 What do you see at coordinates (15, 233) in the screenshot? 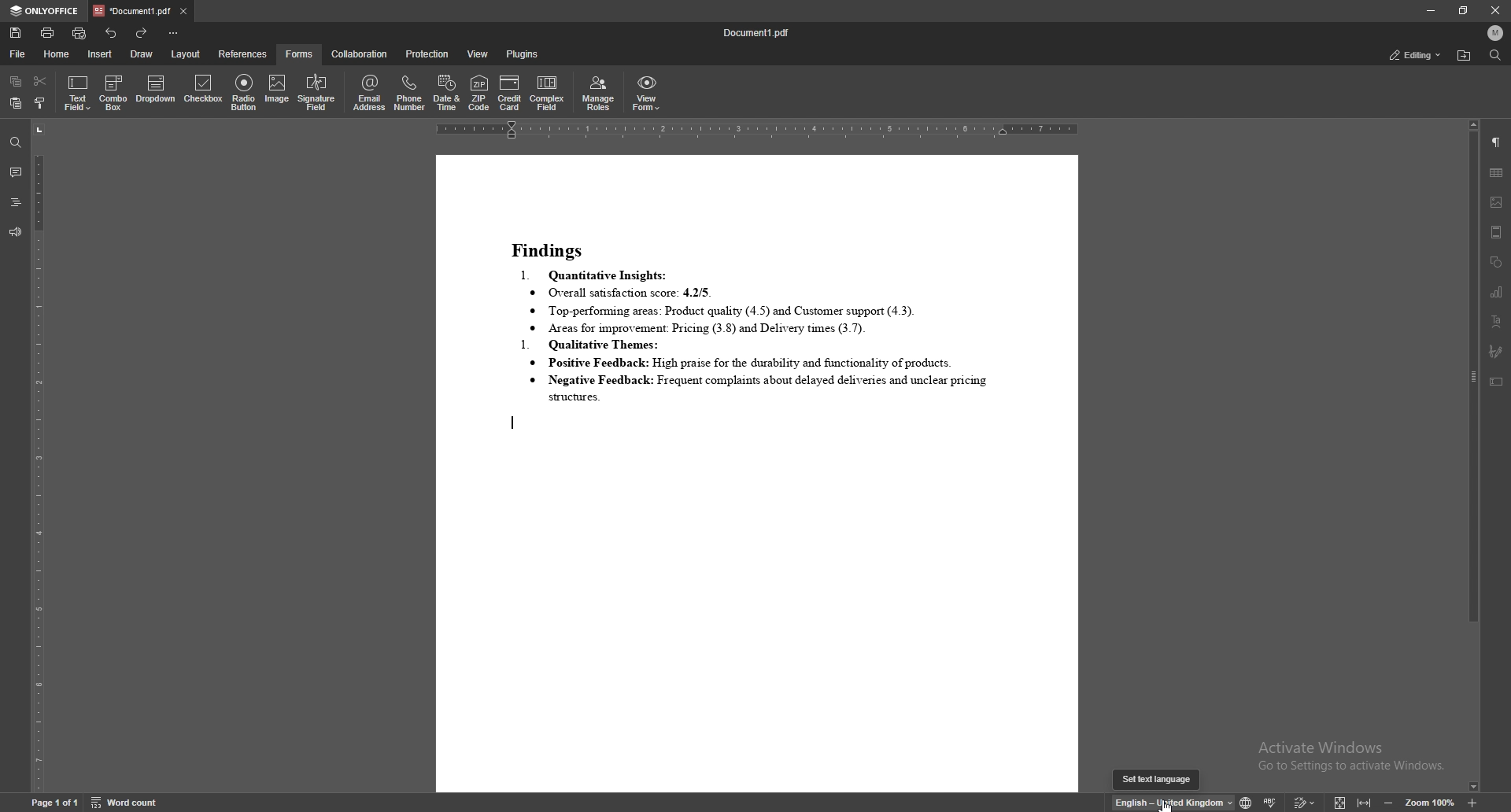
I see `feedback` at bounding box center [15, 233].